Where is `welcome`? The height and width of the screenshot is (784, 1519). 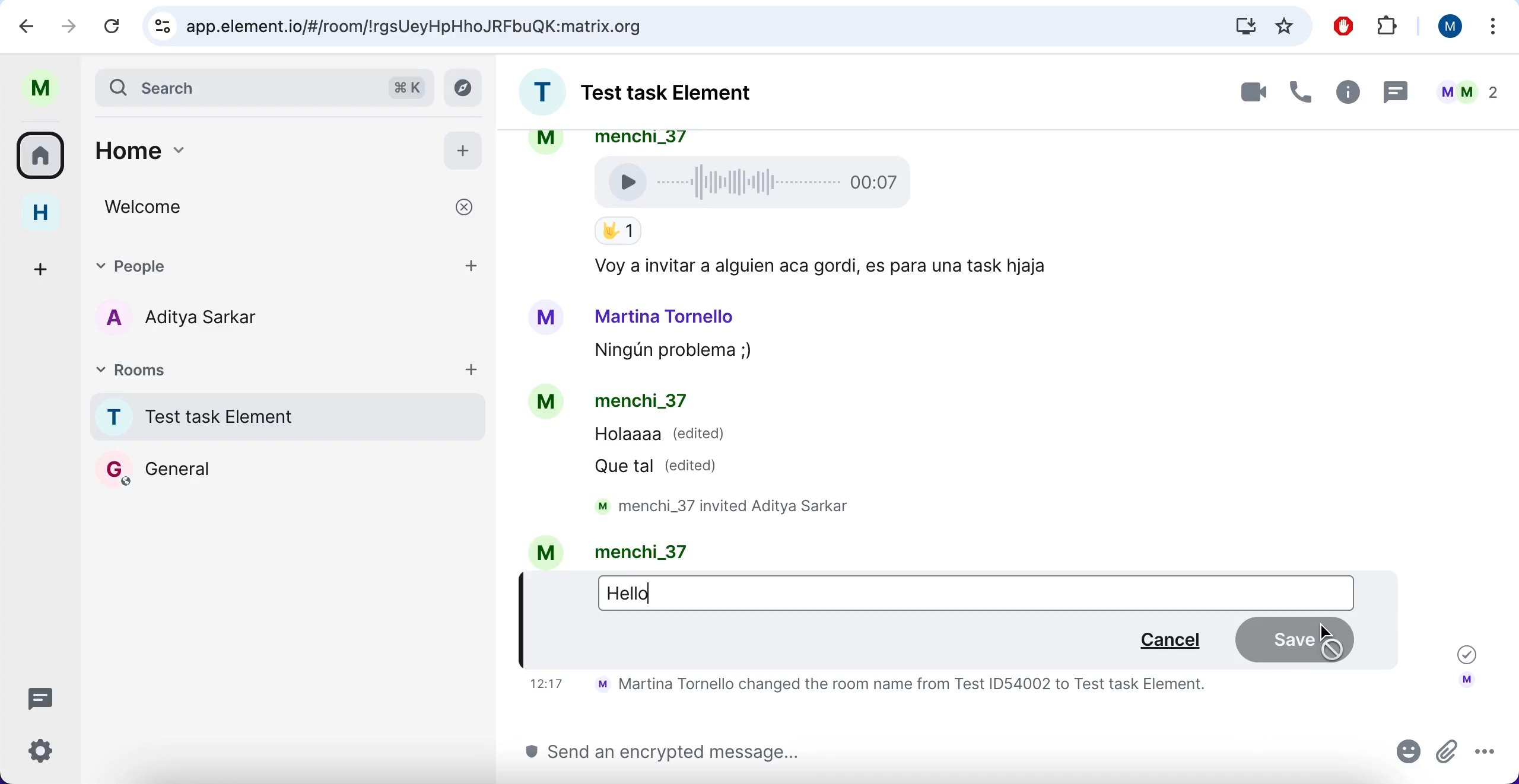
welcome is located at coordinates (287, 209).